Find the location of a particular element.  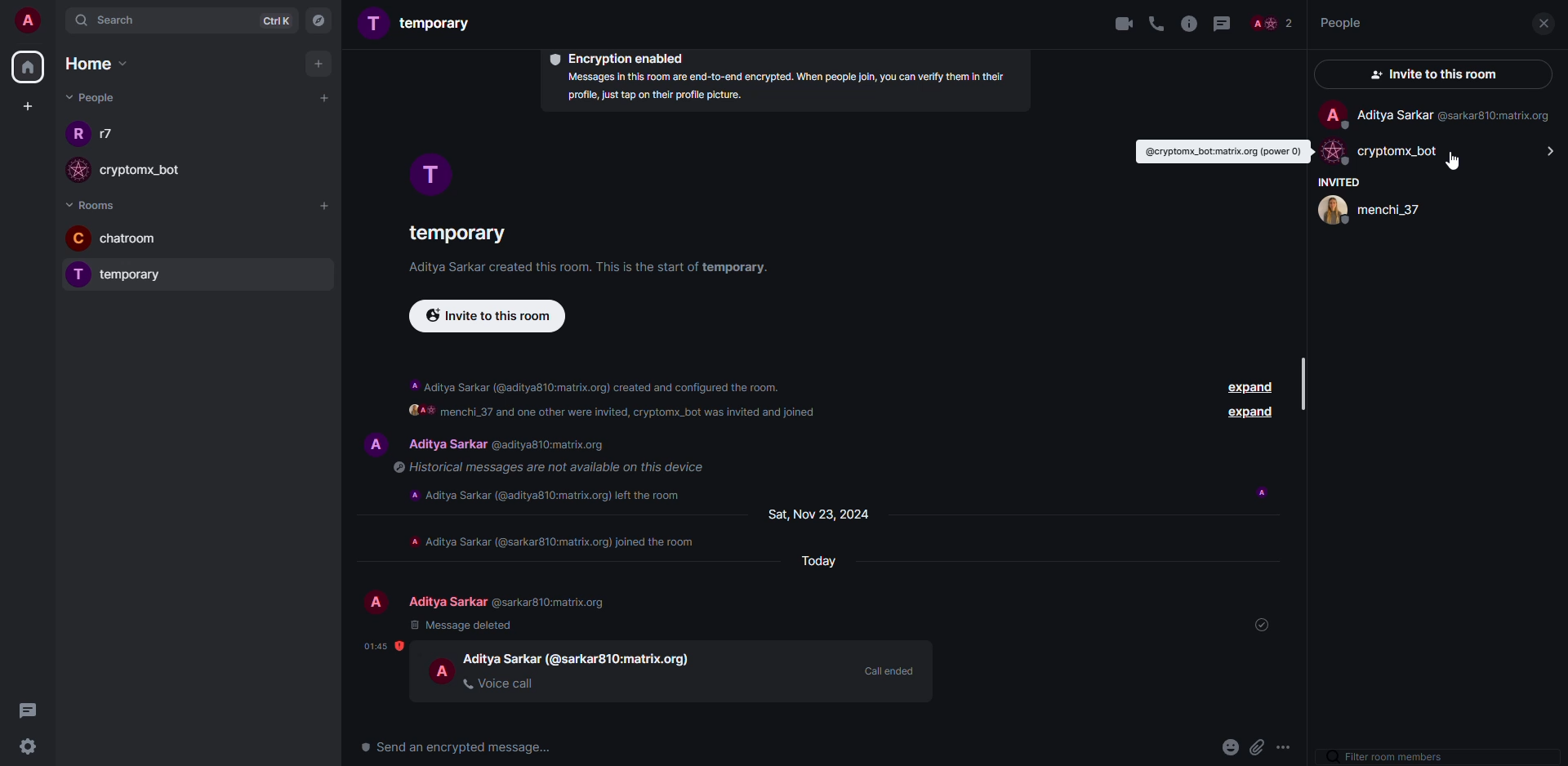

expand is located at coordinates (1546, 152).